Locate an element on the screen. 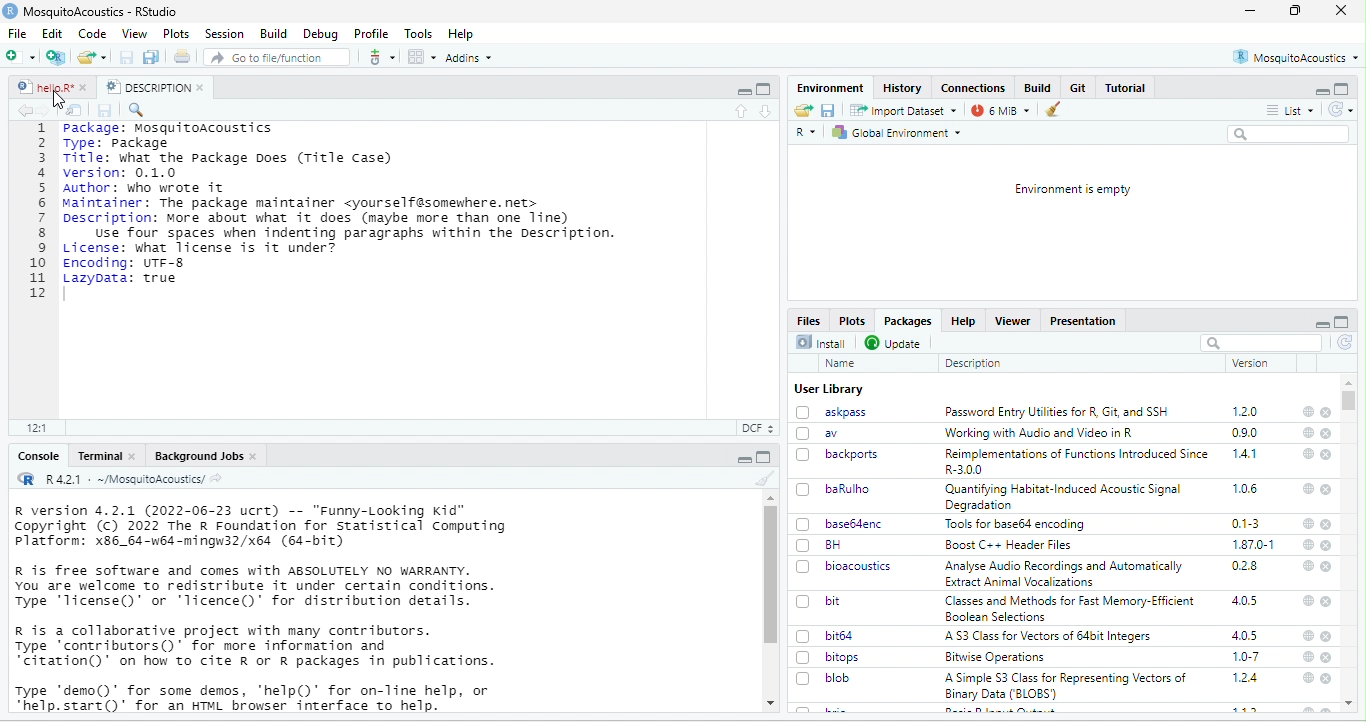 The height and width of the screenshot is (722, 1366). R is a collaborative project with many contributors.
Type contributors)" for more information and
“citation()’ on how to cite R or R packages in publications. is located at coordinates (255, 648).